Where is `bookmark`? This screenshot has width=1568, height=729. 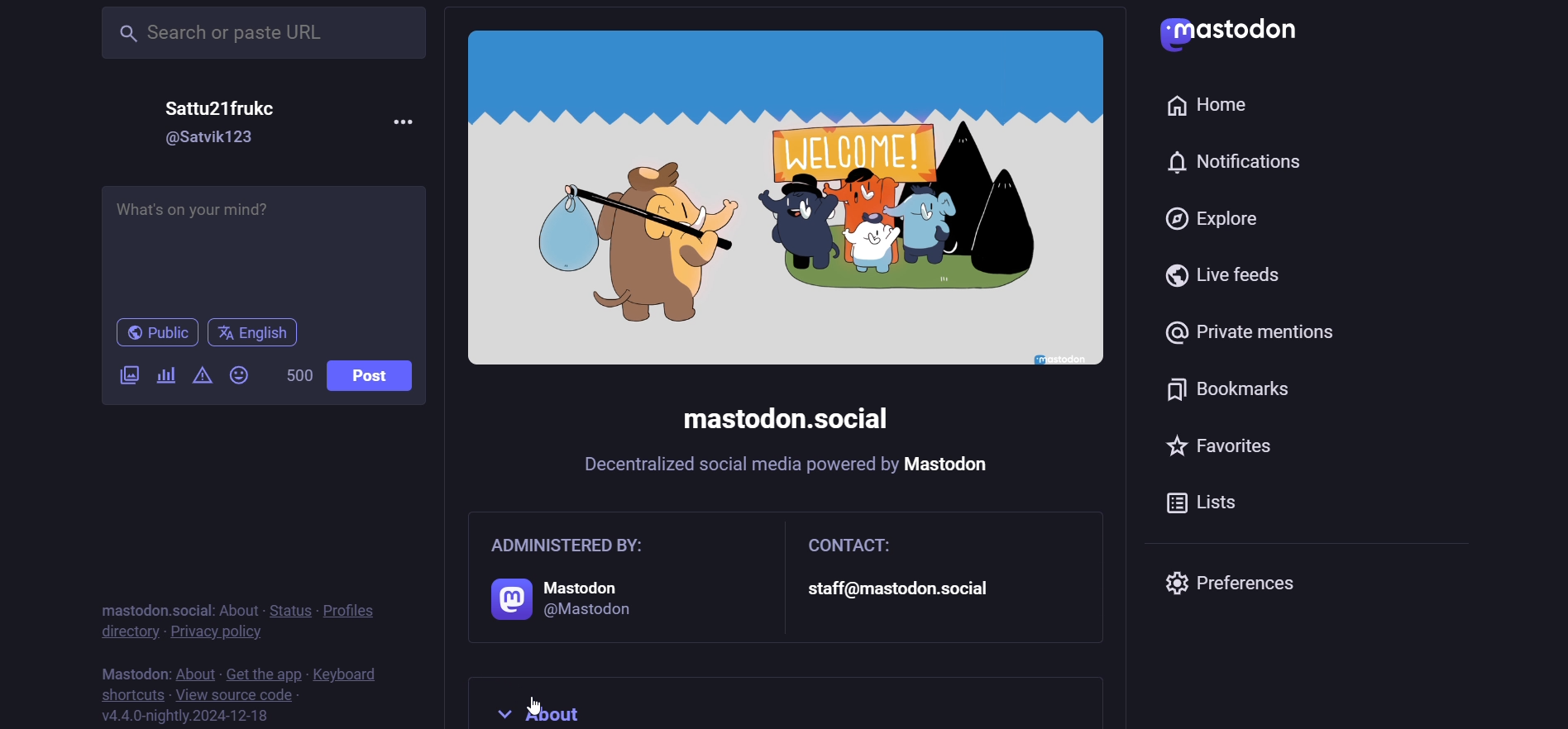
bookmark is located at coordinates (1234, 393).